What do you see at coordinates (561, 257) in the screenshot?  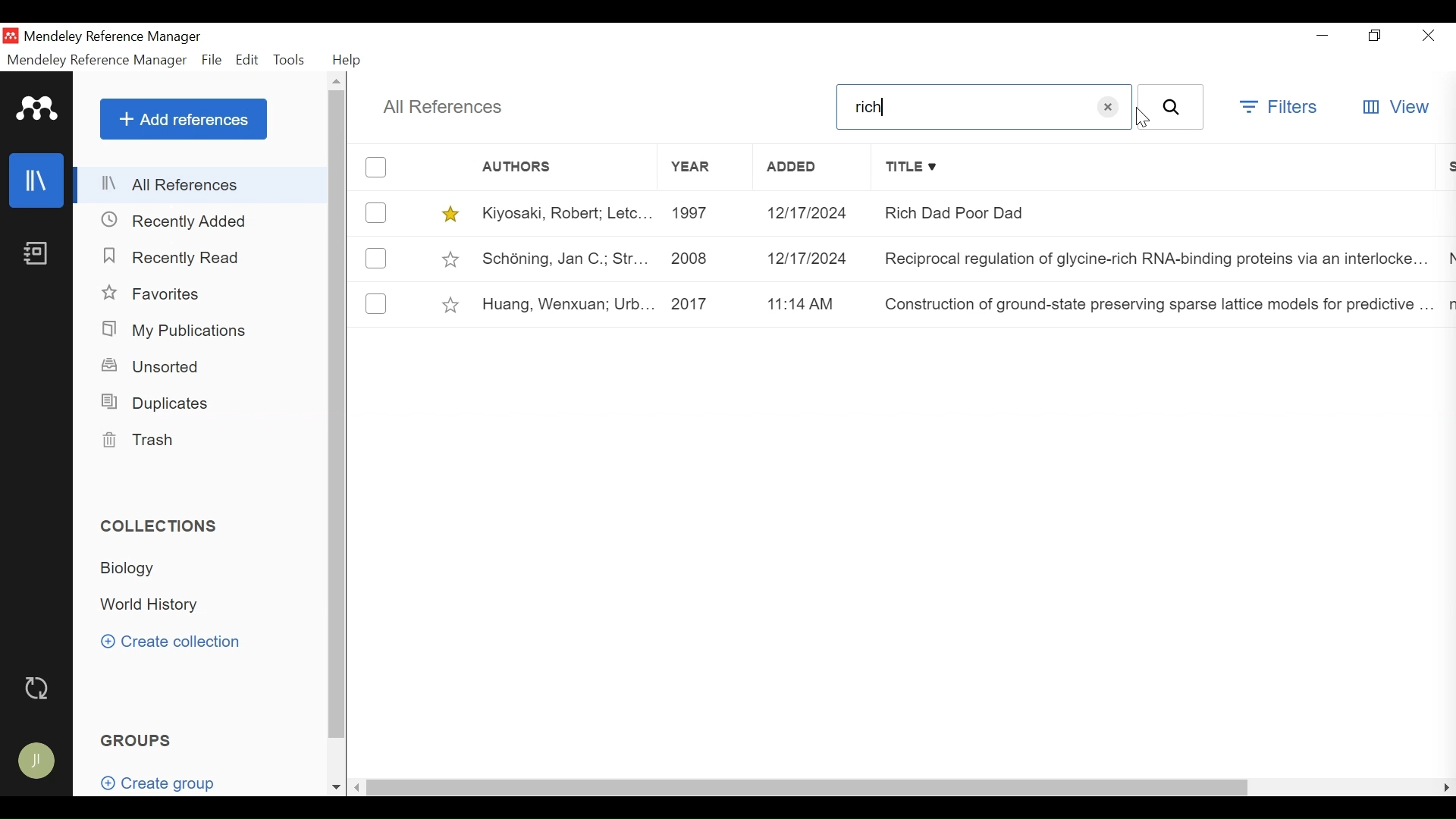 I see `Jan C. Schöning` at bounding box center [561, 257].